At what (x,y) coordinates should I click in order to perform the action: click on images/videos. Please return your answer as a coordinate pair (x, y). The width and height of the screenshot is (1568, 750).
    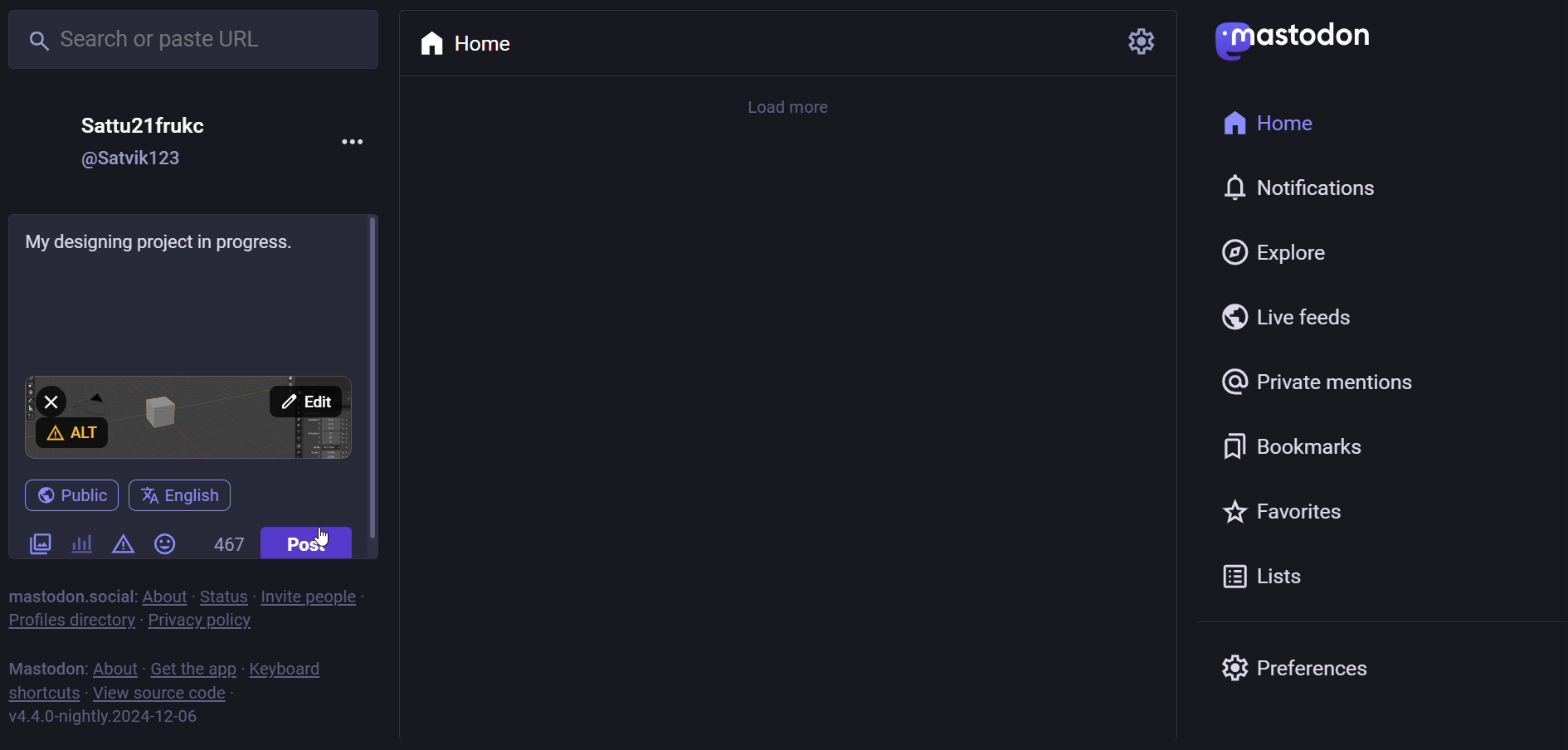
    Looking at the image, I should click on (43, 541).